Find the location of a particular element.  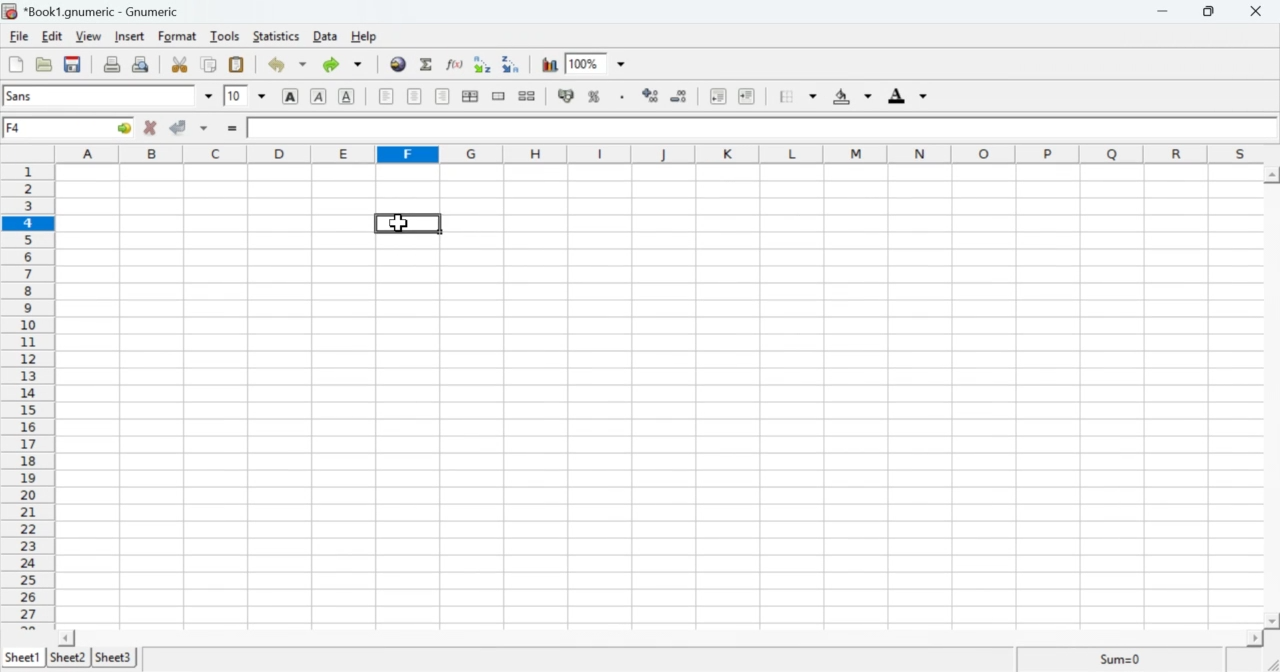

Sort in ascending is located at coordinates (480, 63).